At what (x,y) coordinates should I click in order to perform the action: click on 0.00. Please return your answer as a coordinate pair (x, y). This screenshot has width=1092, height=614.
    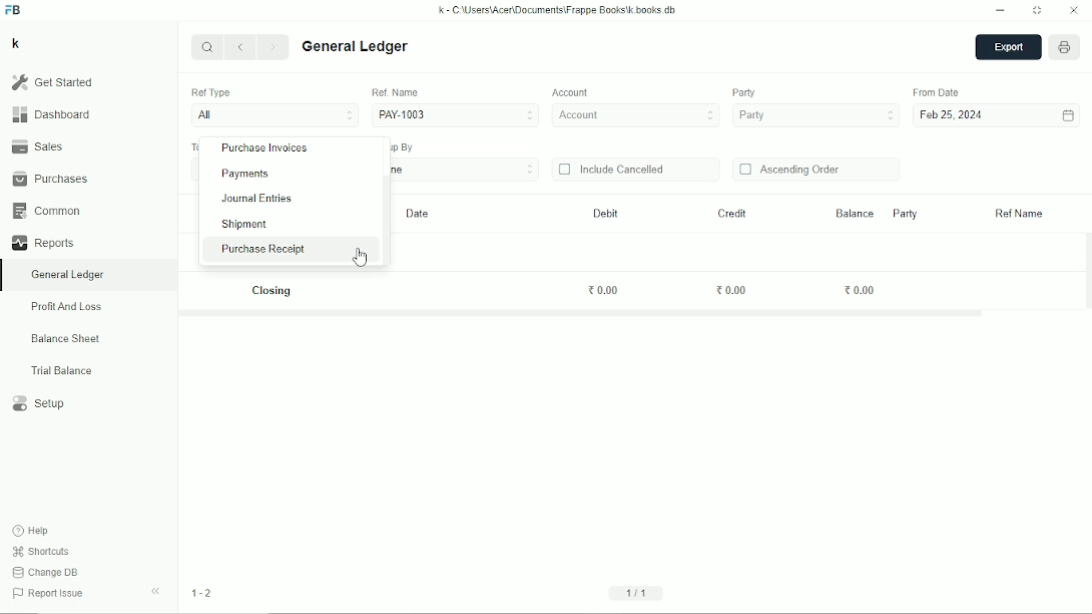
    Looking at the image, I should click on (860, 289).